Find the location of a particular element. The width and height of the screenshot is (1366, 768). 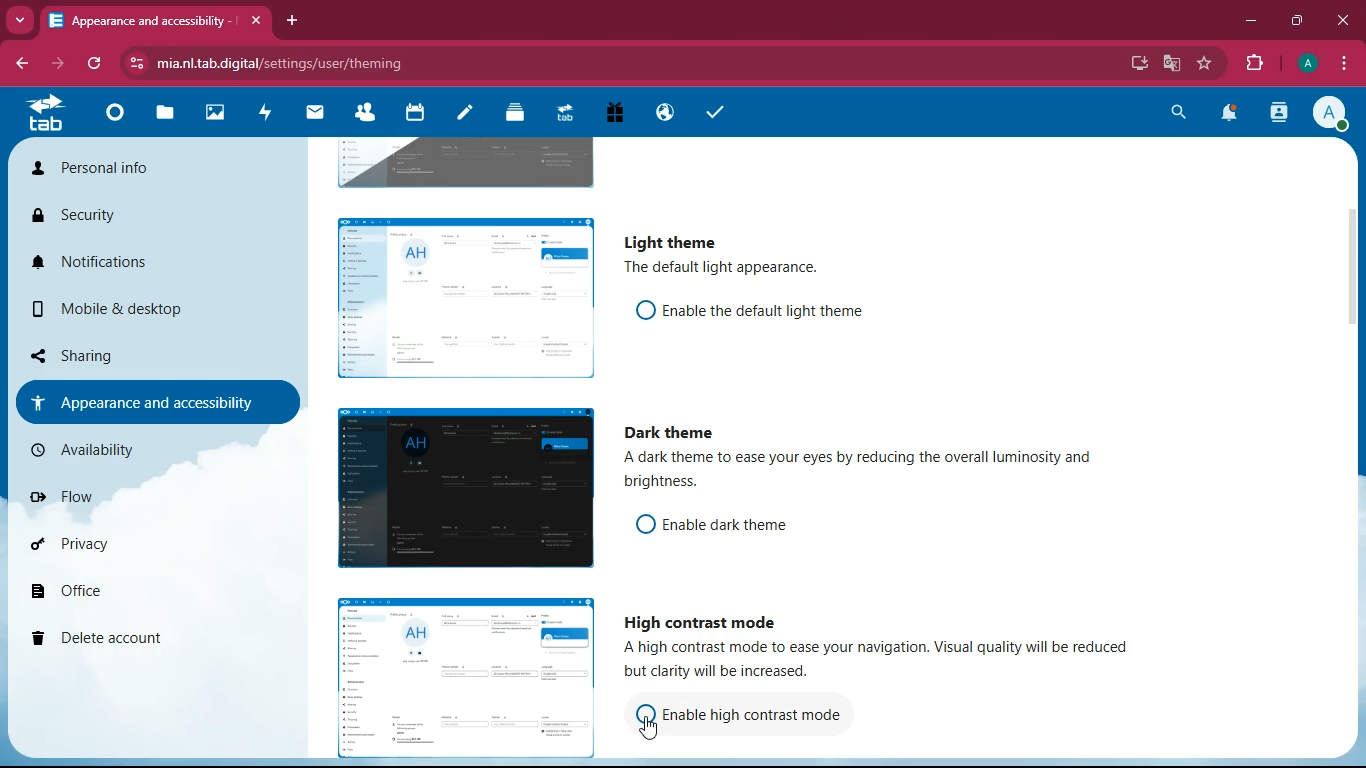

activity is located at coordinates (264, 115).